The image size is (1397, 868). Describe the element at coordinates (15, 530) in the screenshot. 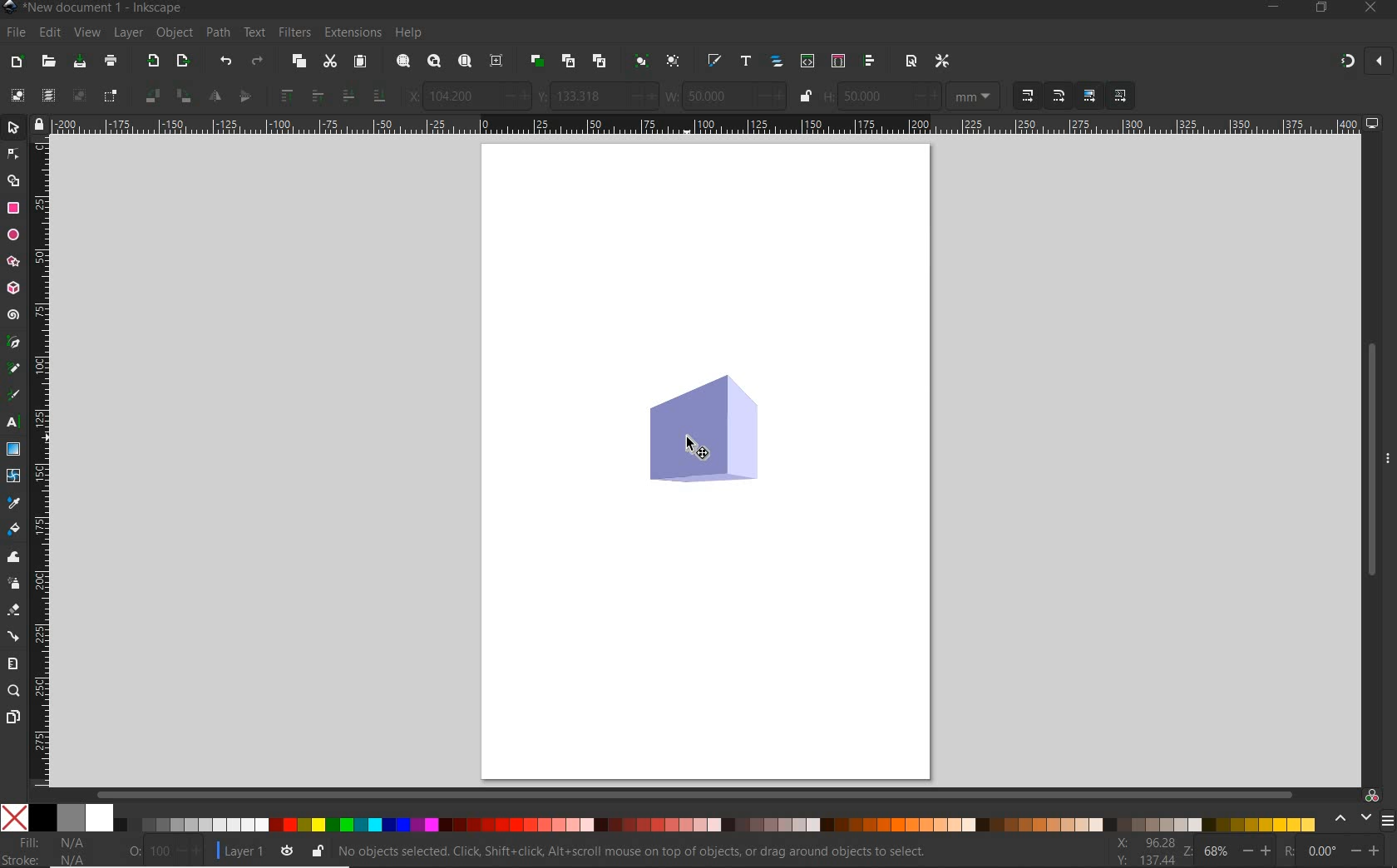

I see `paint bucket tool` at that location.